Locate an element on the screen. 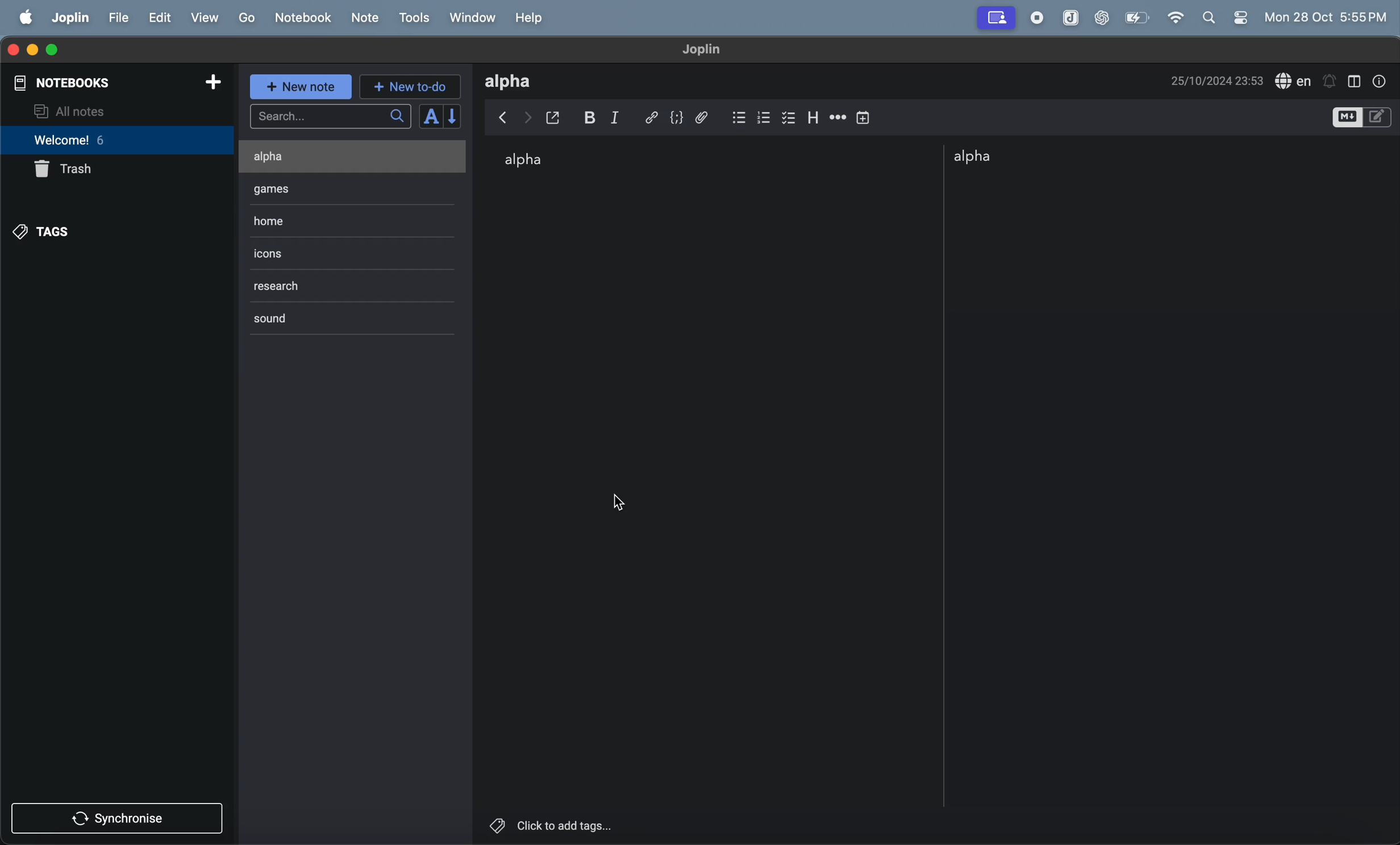 This screenshot has width=1400, height=845. forward is located at coordinates (528, 115).